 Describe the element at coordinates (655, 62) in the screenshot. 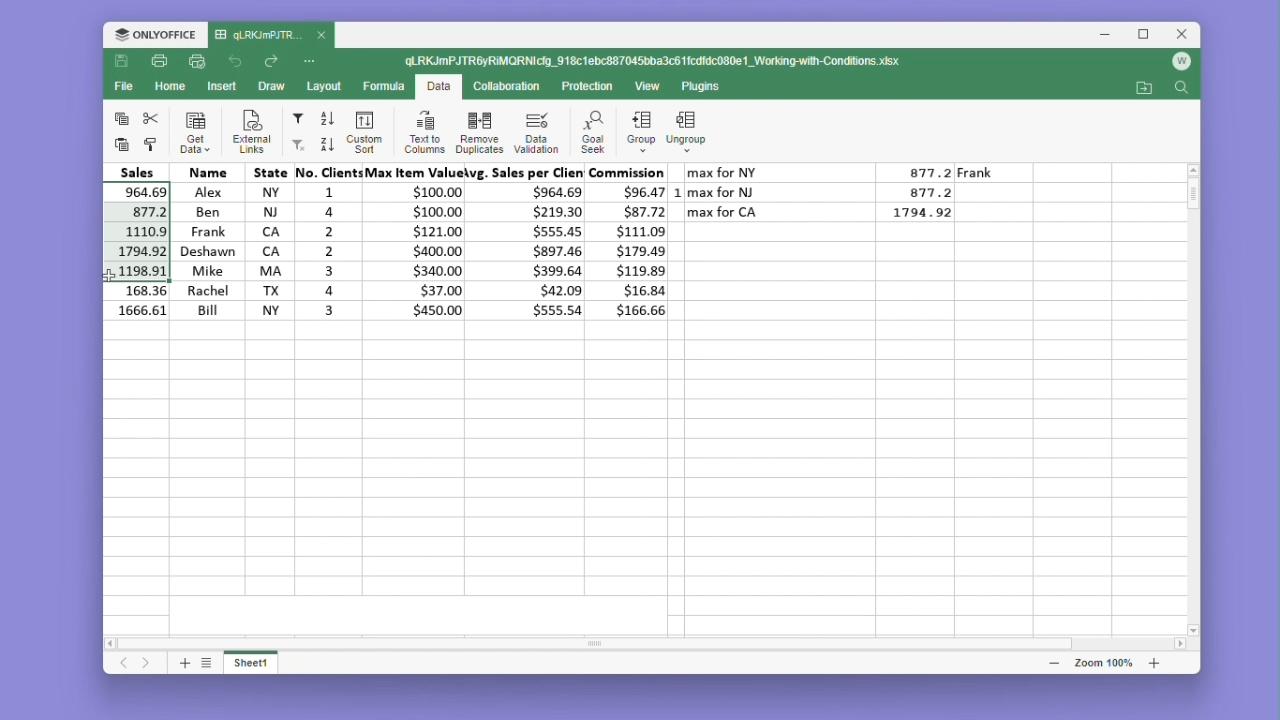

I see `File name` at that location.